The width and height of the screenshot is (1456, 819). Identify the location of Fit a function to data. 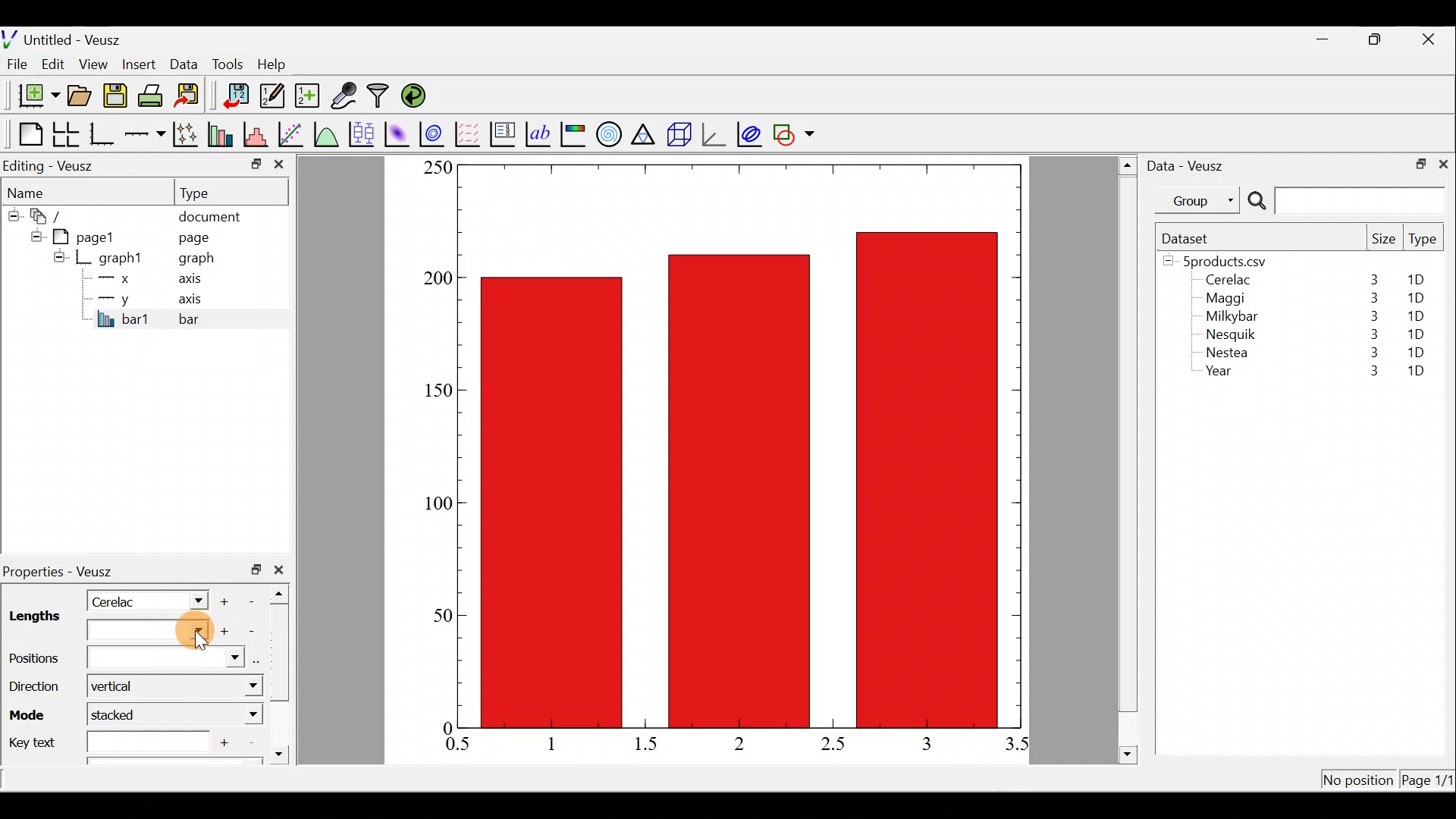
(292, 133).